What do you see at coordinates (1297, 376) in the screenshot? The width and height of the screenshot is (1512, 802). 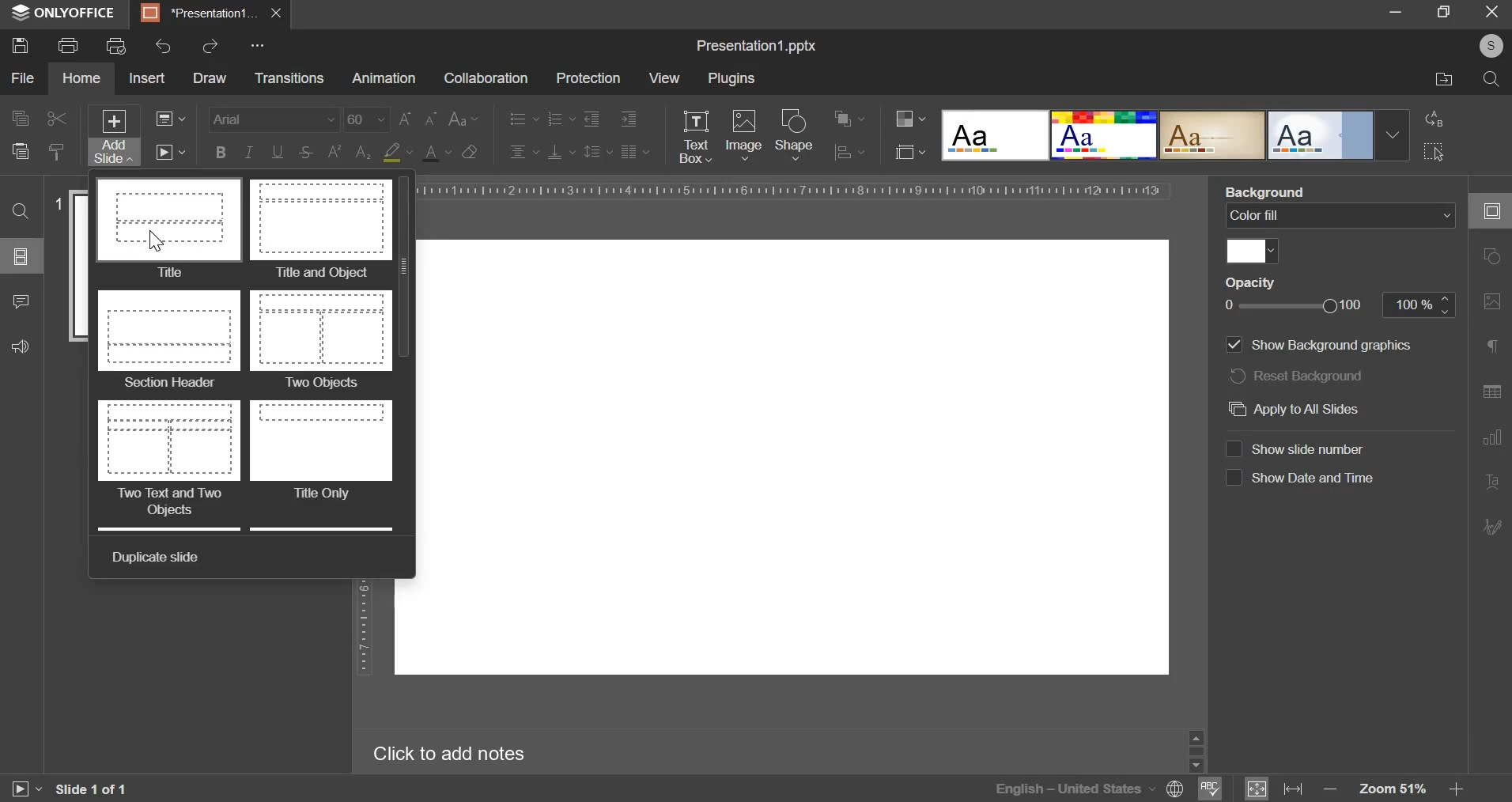 I see `reset background` at bounding box center [1297, 376].